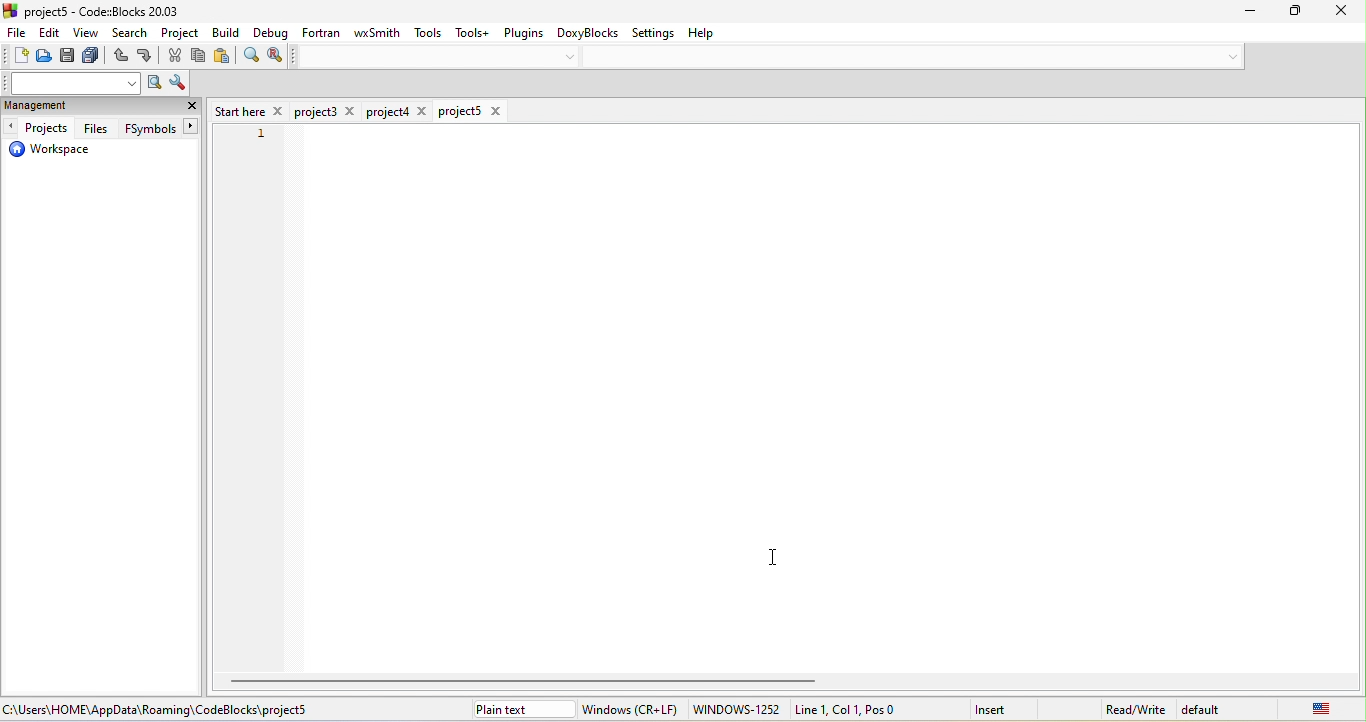 This screenshot has width=1366, height=722. What do you see at coordinates (45, 58) in the screenshot?
I see `open` at bounding box center [45, 58].